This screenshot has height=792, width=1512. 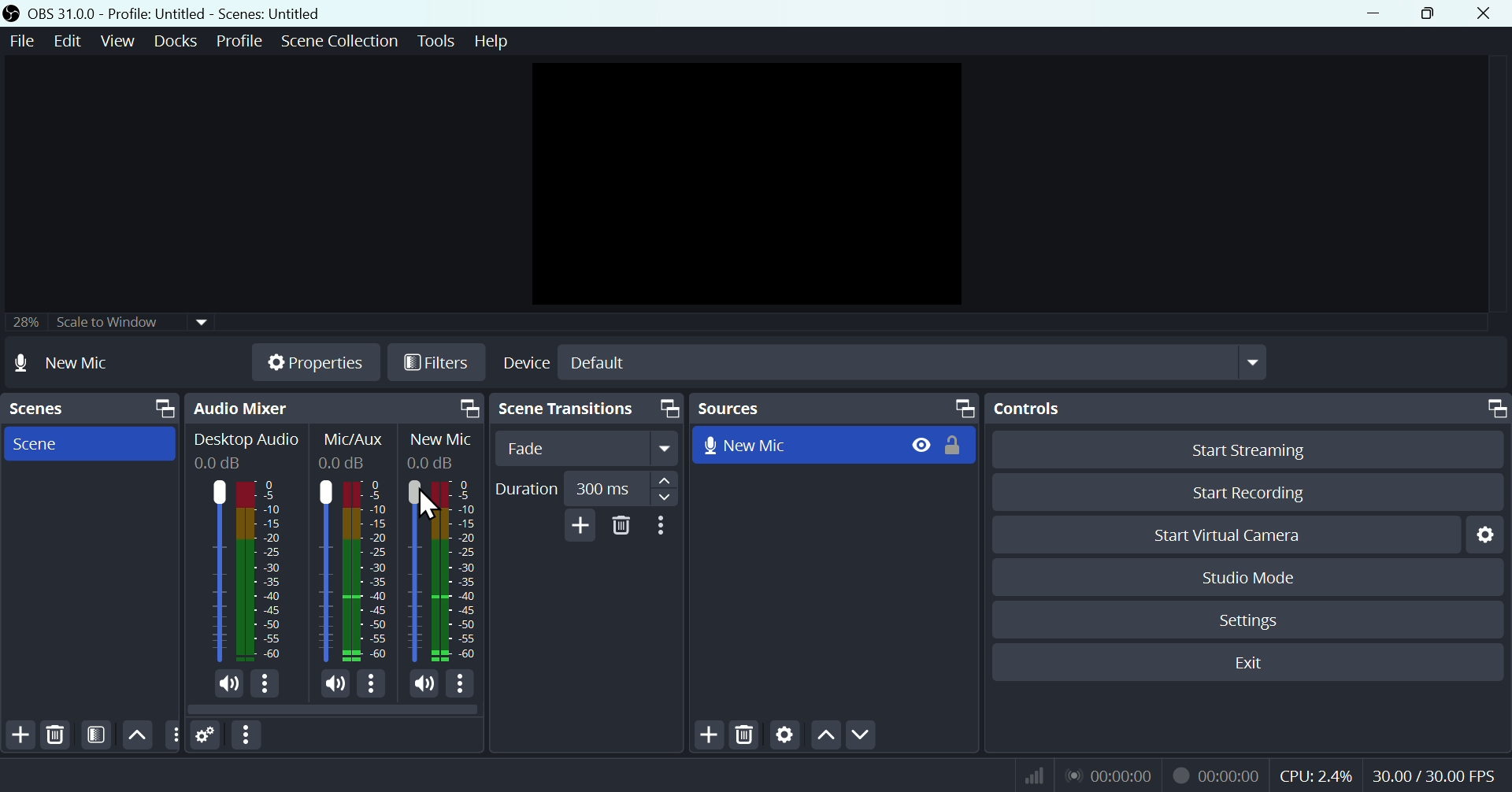 I want to click on Delete, so click(x=747, y=737).